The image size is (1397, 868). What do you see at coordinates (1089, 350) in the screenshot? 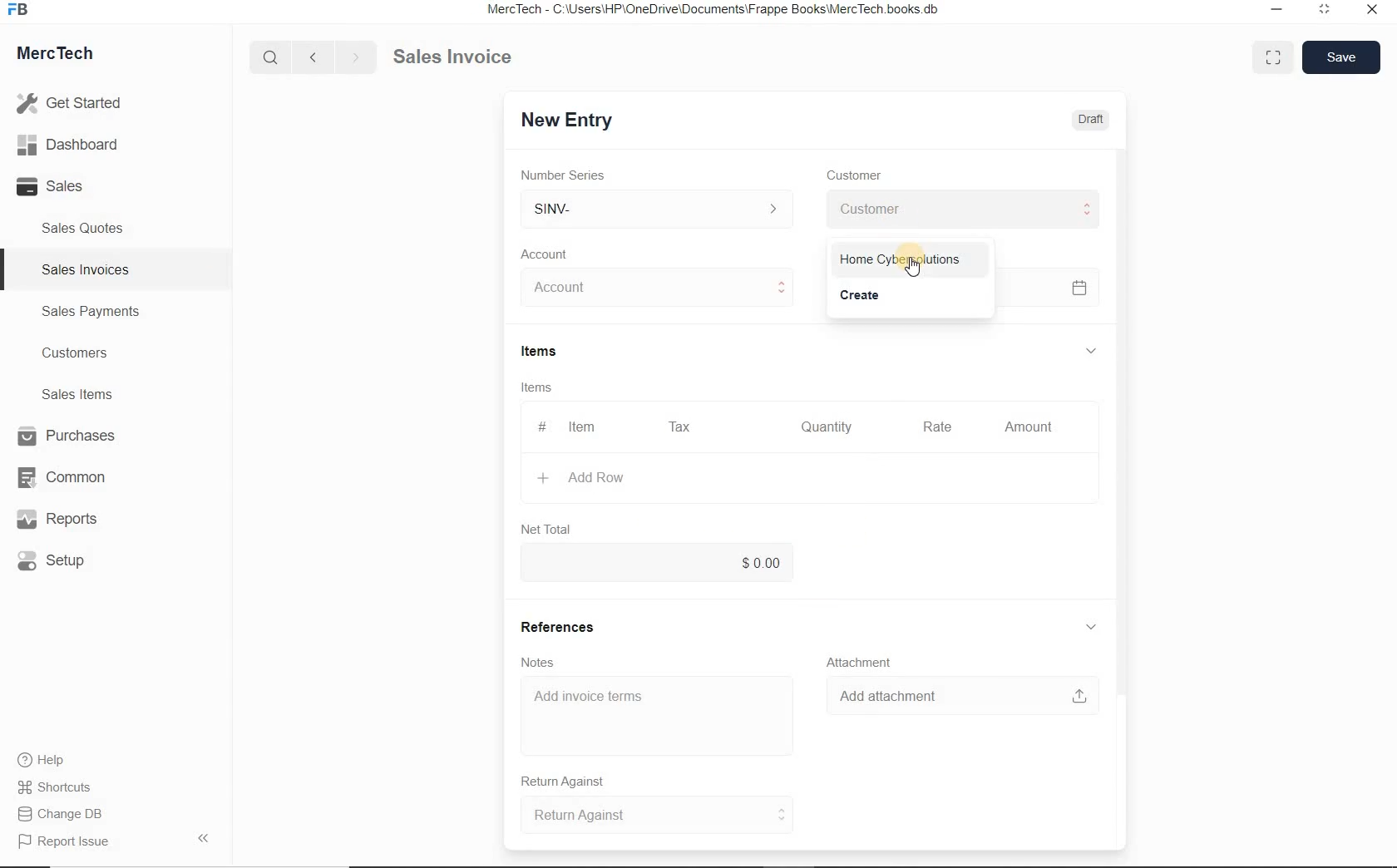
I see `hide sub menu` at bounding box center [1089, 350].